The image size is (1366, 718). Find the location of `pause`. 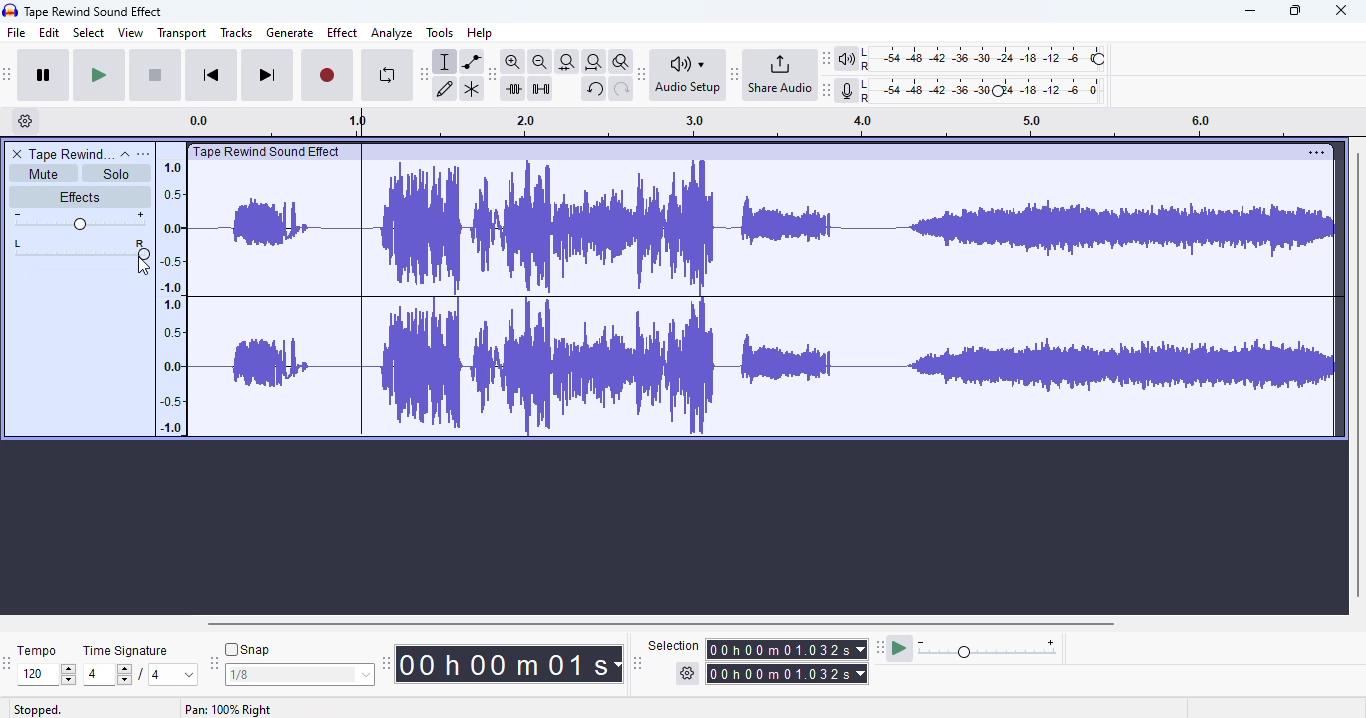

pause is located at coordinates (44, 75).